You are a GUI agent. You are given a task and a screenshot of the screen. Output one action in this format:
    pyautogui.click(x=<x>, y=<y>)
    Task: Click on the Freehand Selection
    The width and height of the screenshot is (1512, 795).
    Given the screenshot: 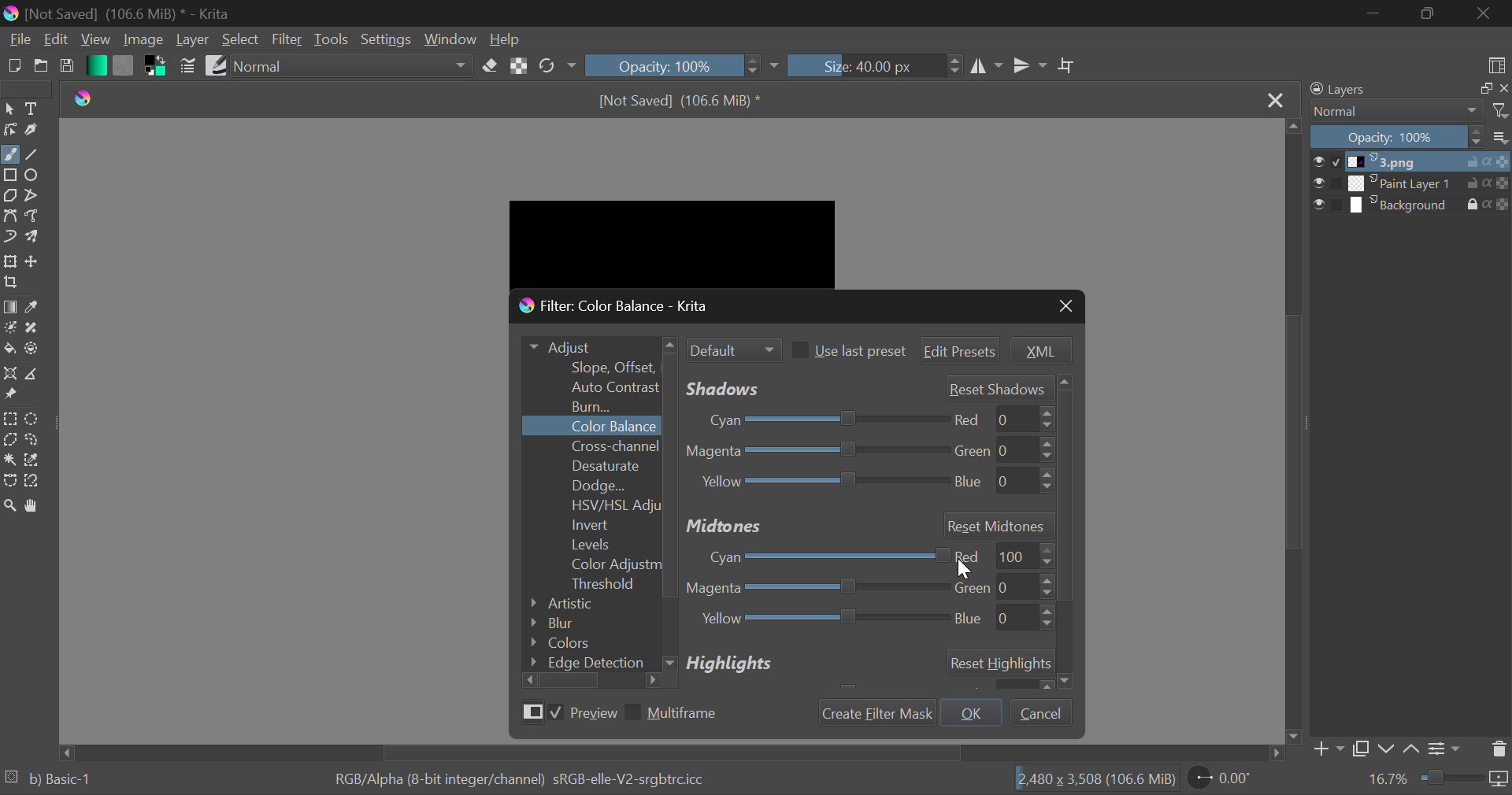 What is the action you would take?
    pyautogui.click(x=32, y=439)
    